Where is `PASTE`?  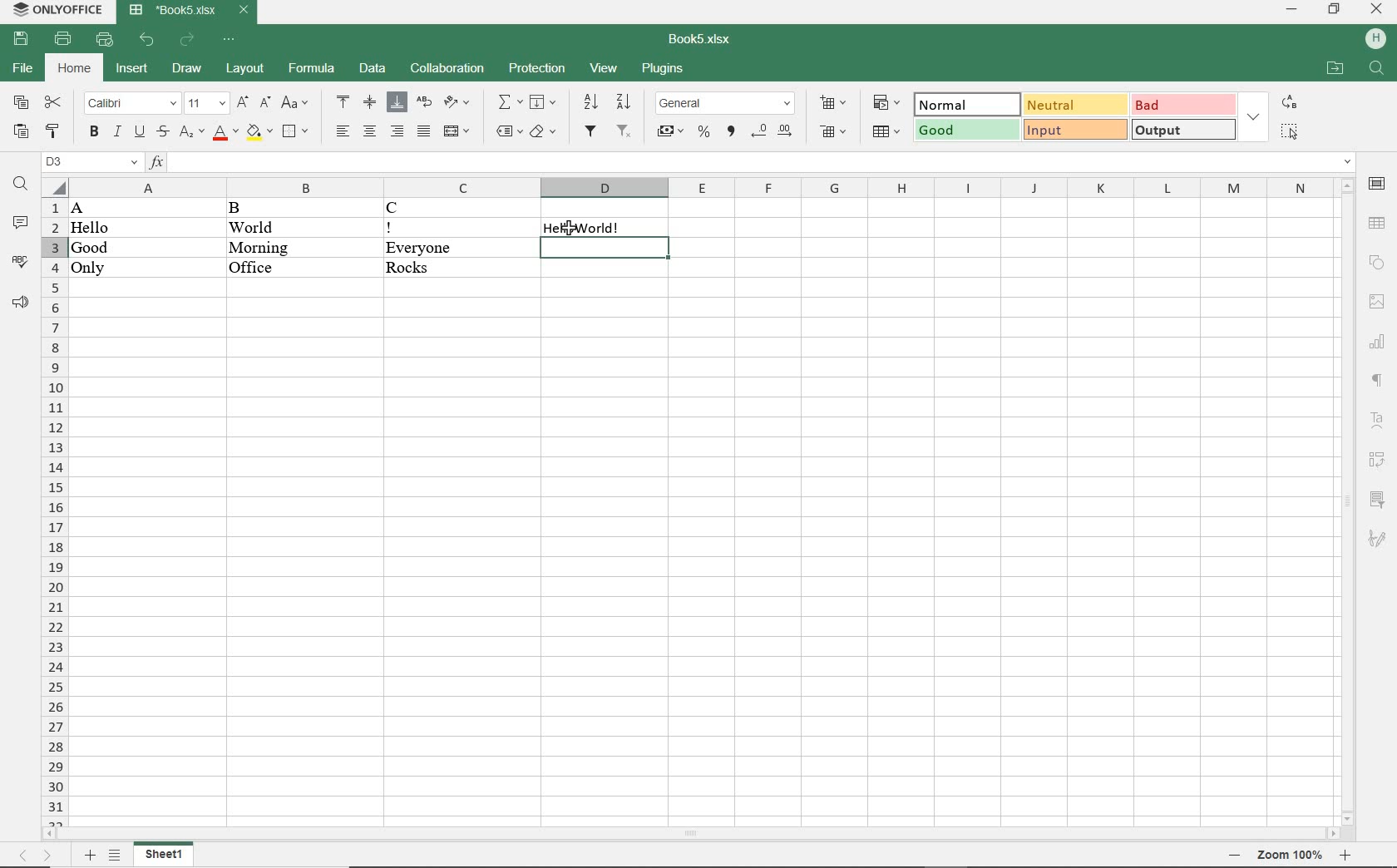 PASTE is located at coordinates (20, 131).